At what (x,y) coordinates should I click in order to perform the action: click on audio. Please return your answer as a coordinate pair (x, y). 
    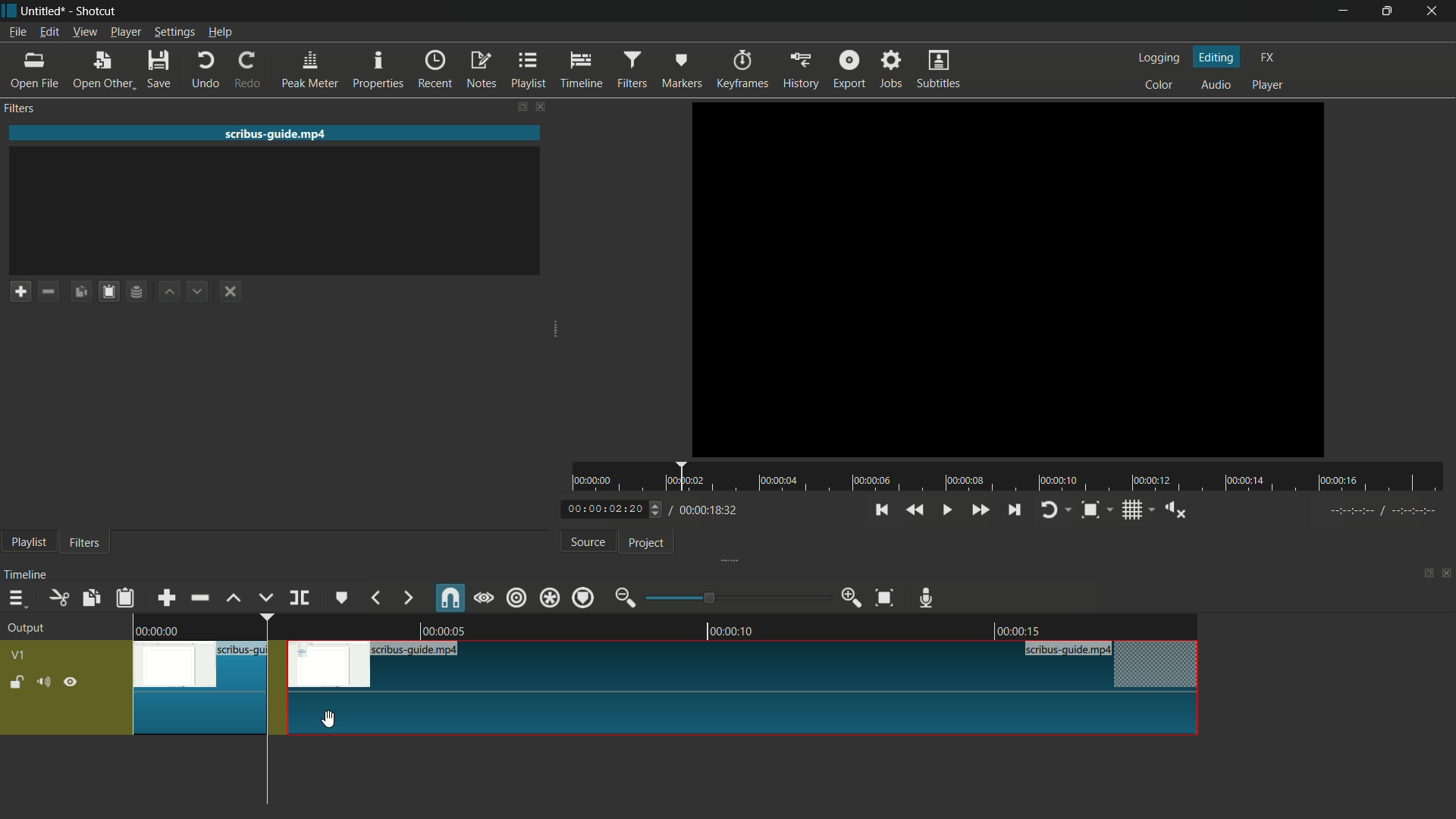
    Looking at the image, I should click on (1216, 86).